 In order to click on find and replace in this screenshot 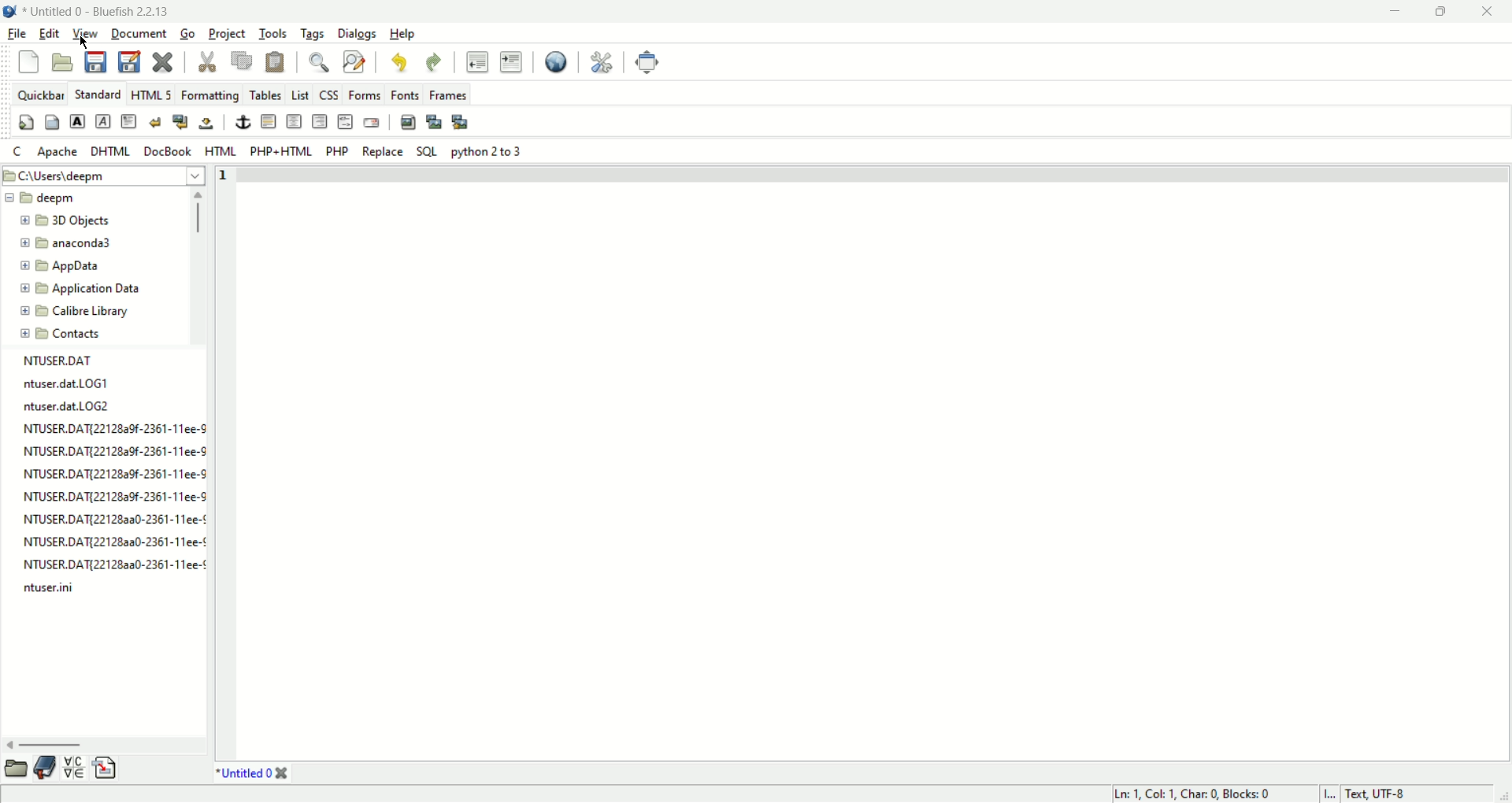, I will do `click(354, 64)`.